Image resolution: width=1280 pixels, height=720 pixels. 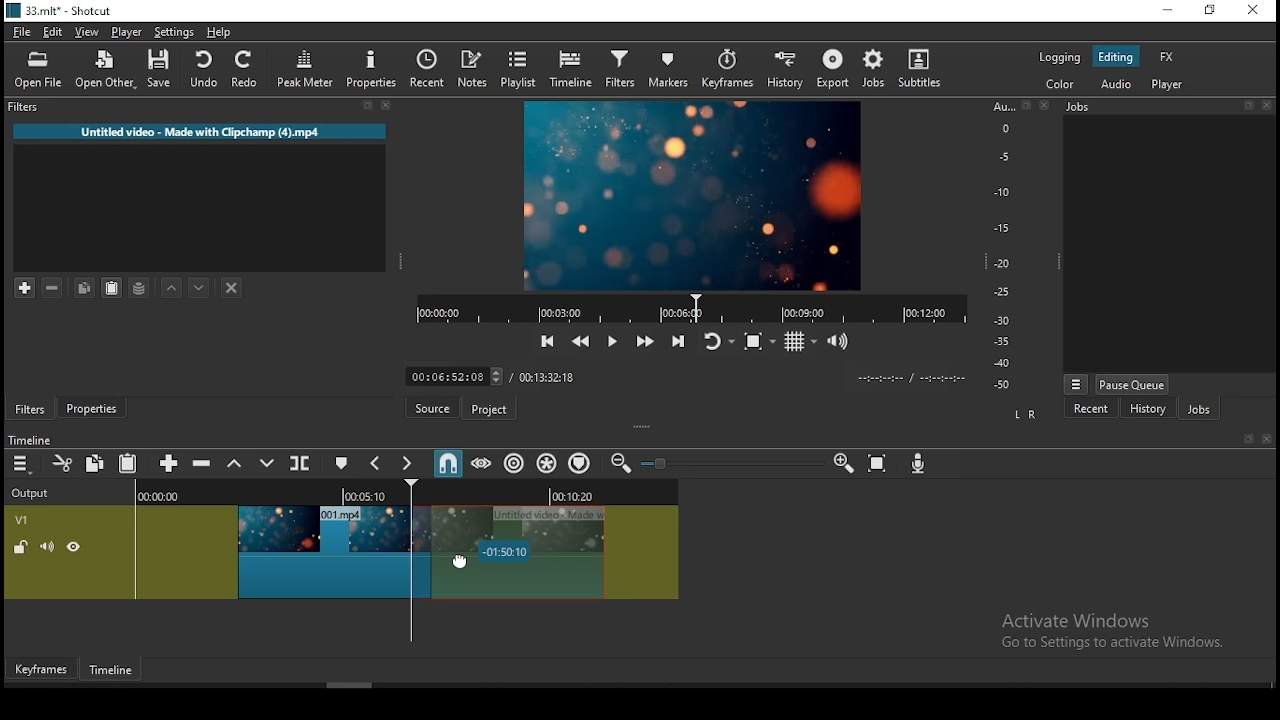 I want to click on toggle zoom, so click(x=759, y=341).